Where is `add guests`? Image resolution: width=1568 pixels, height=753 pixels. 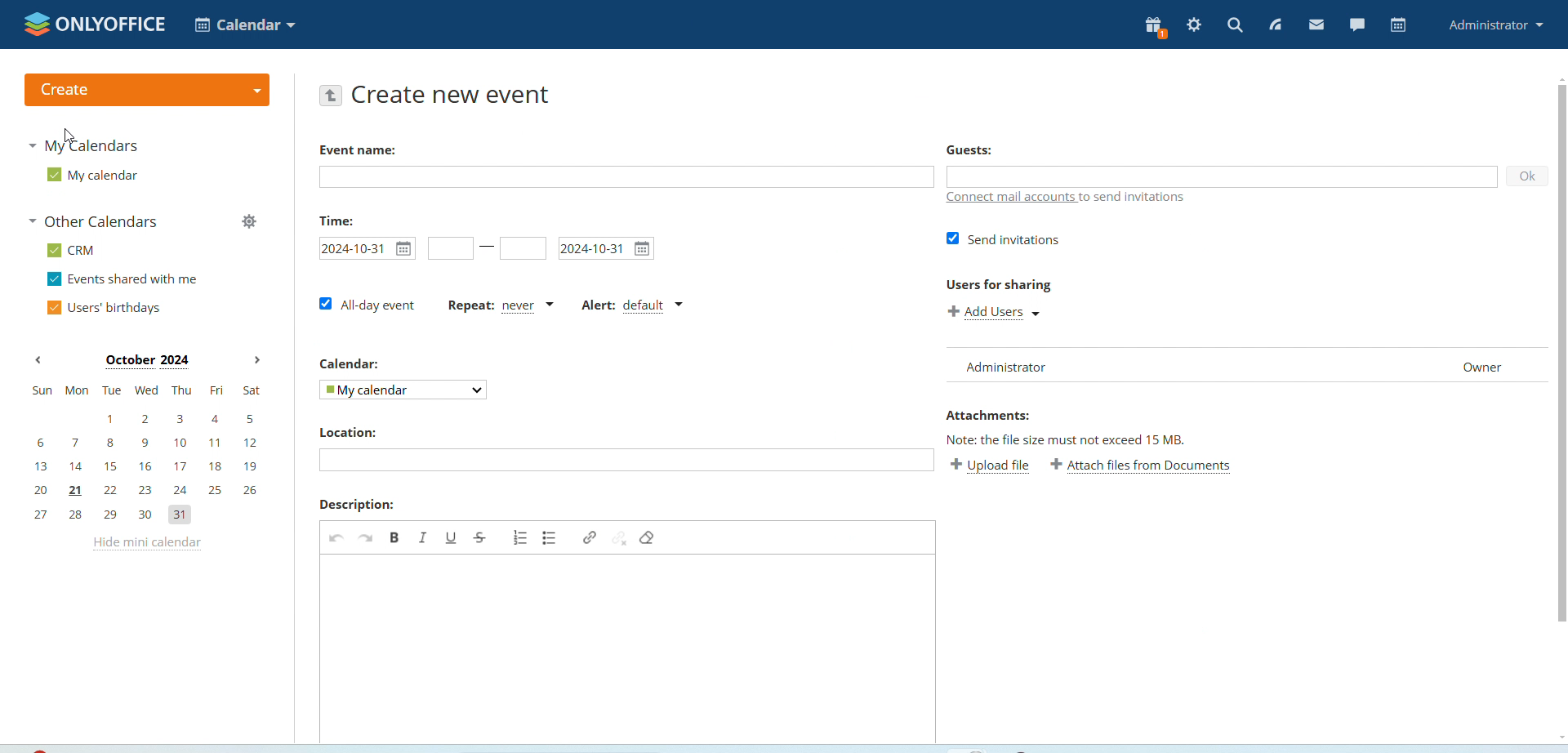 add guests is located at coordinates (1223, 176).